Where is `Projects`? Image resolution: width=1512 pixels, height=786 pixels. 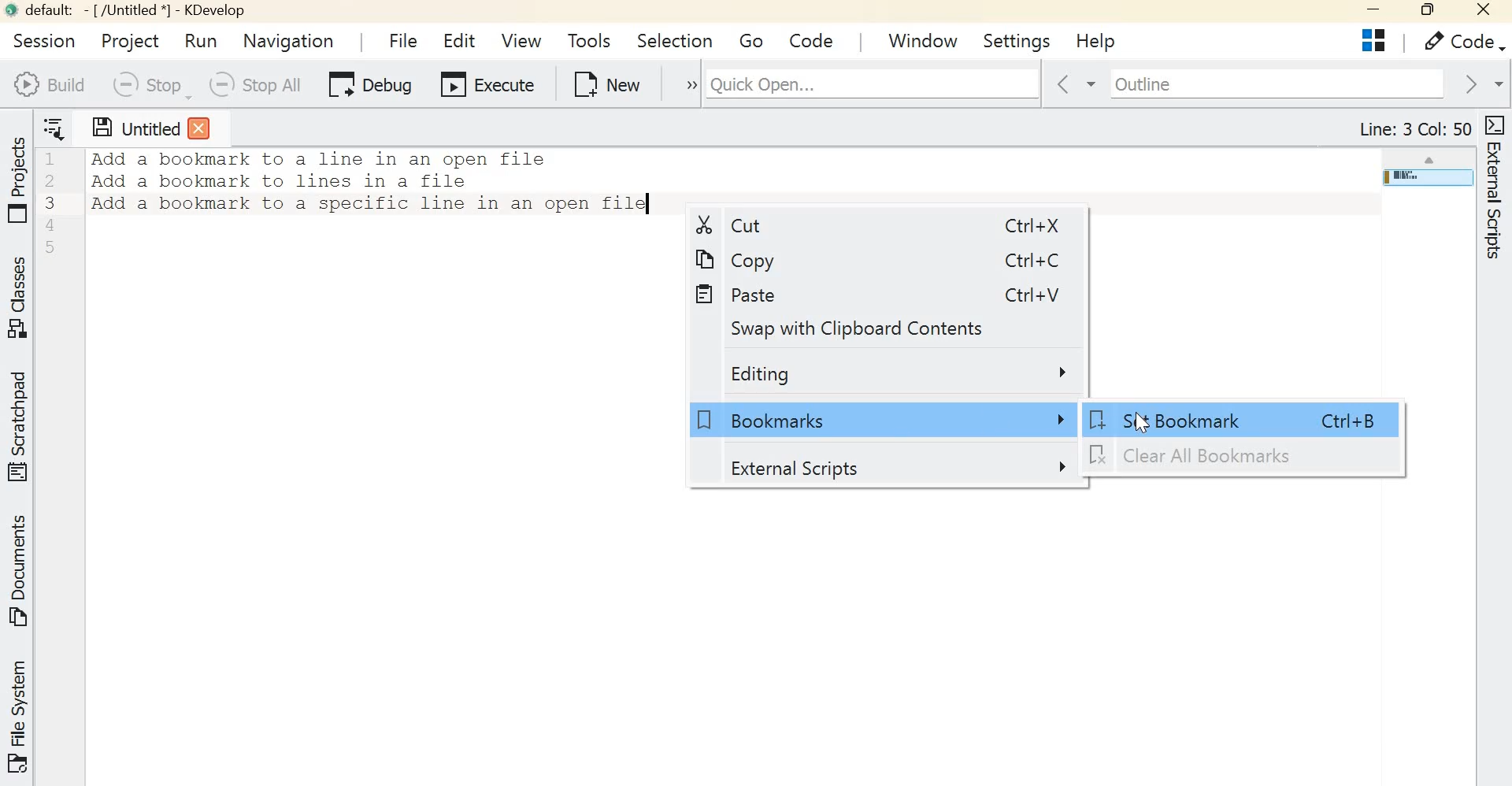 Projects is located at coordinates (1377, 42).